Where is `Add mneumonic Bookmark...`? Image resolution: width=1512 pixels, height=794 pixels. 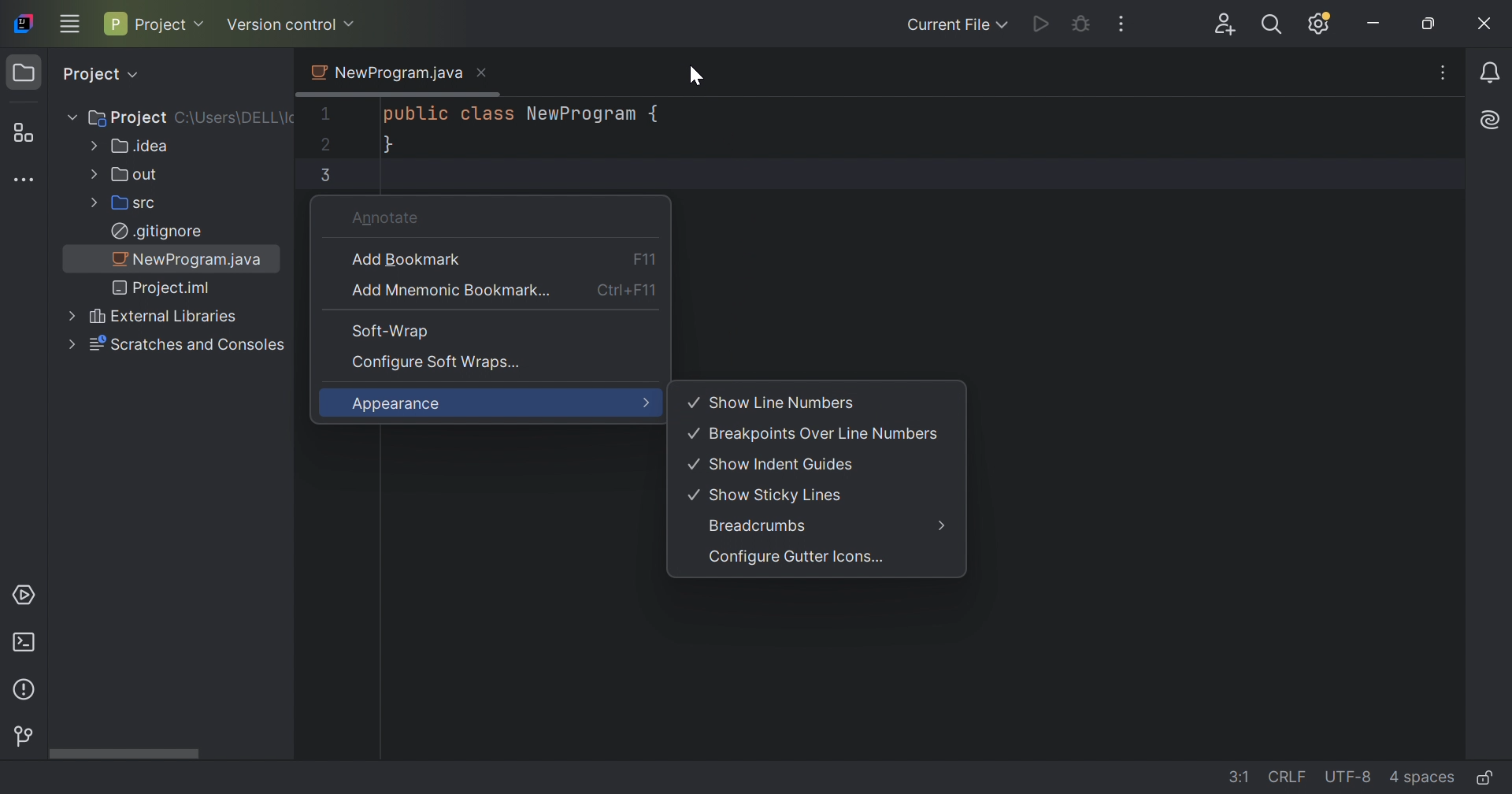 Add mneumonic Bookmark... is located at coordinates (450, 291).